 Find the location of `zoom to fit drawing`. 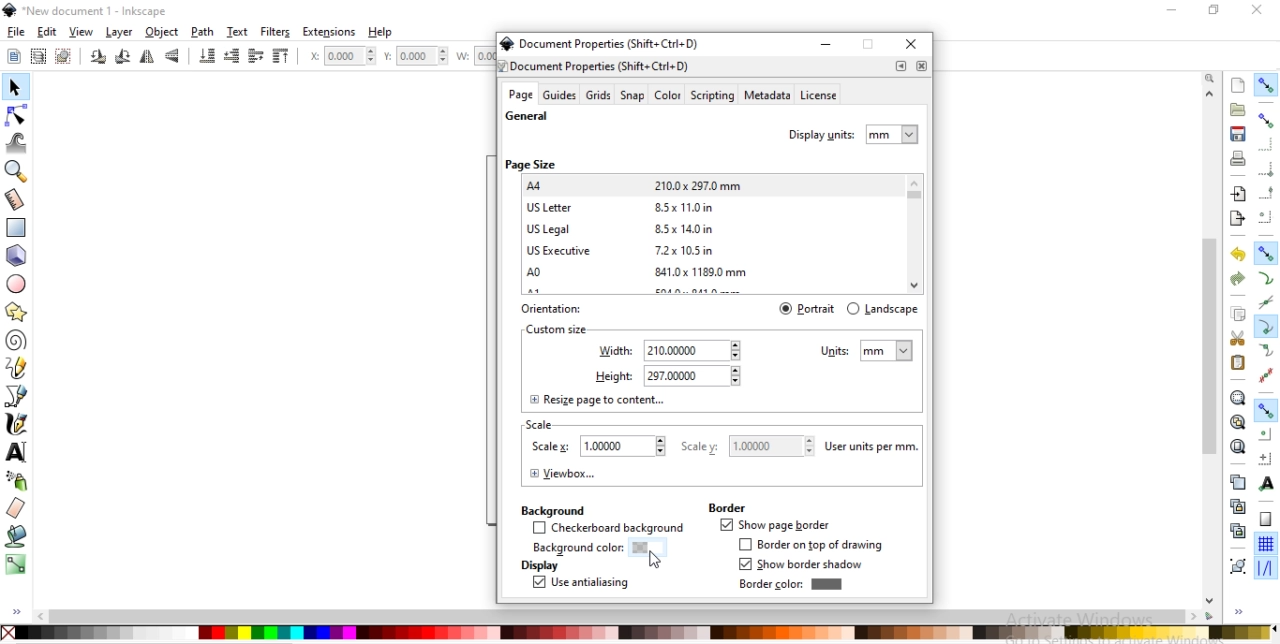

zoom to fit drawing is located at coordinates (1237, 423).